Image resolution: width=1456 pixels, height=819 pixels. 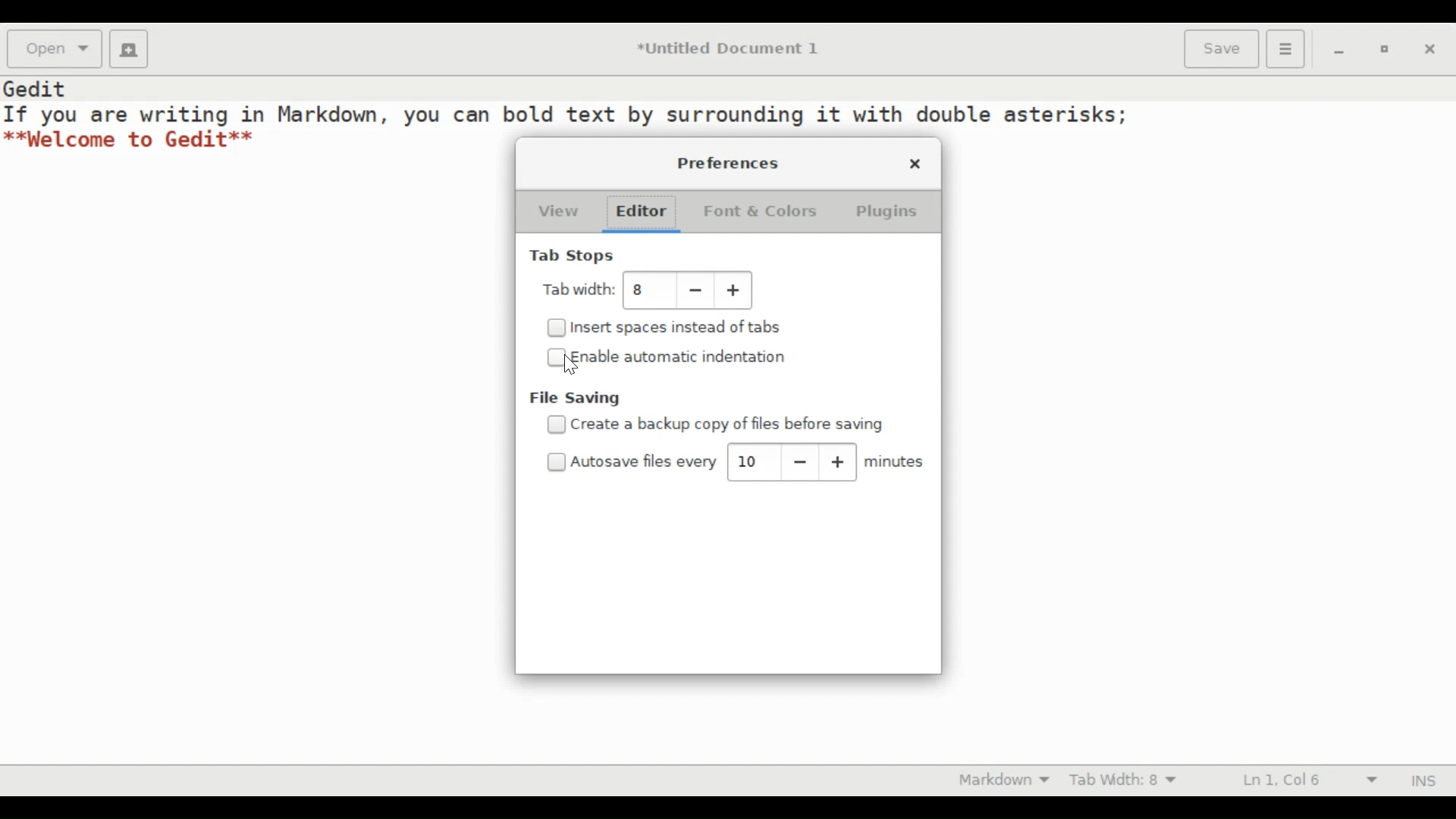 What do you see at coordinates (758, 210) in the screenshot?
I see `Font & Colors` at bounding box center [758, 210].